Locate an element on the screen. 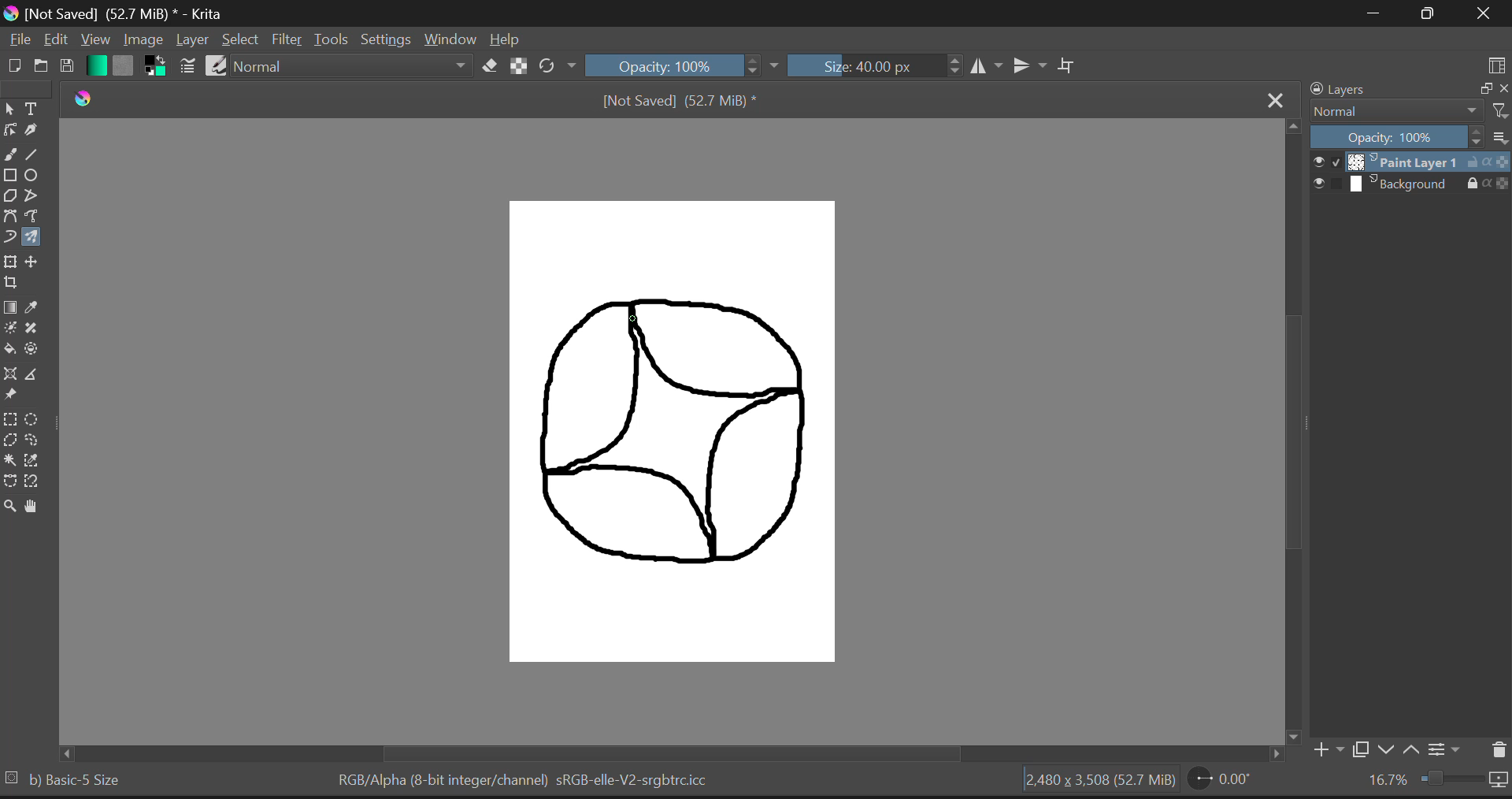 This screenshot has height=799, width=1512. Pan is located at coordinates (35, 507).